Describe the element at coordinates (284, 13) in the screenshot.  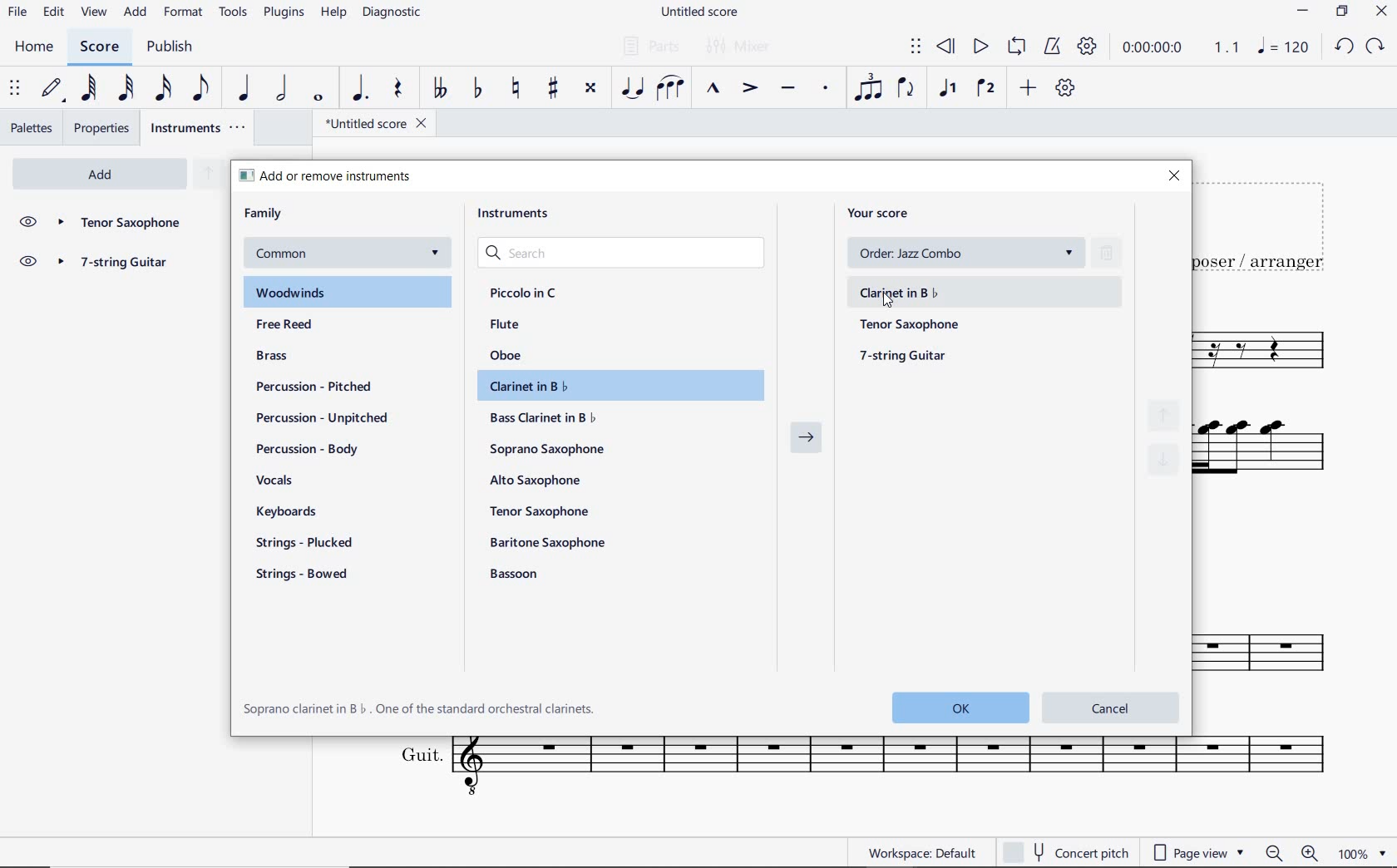
I see `PLUGINS` at that location.